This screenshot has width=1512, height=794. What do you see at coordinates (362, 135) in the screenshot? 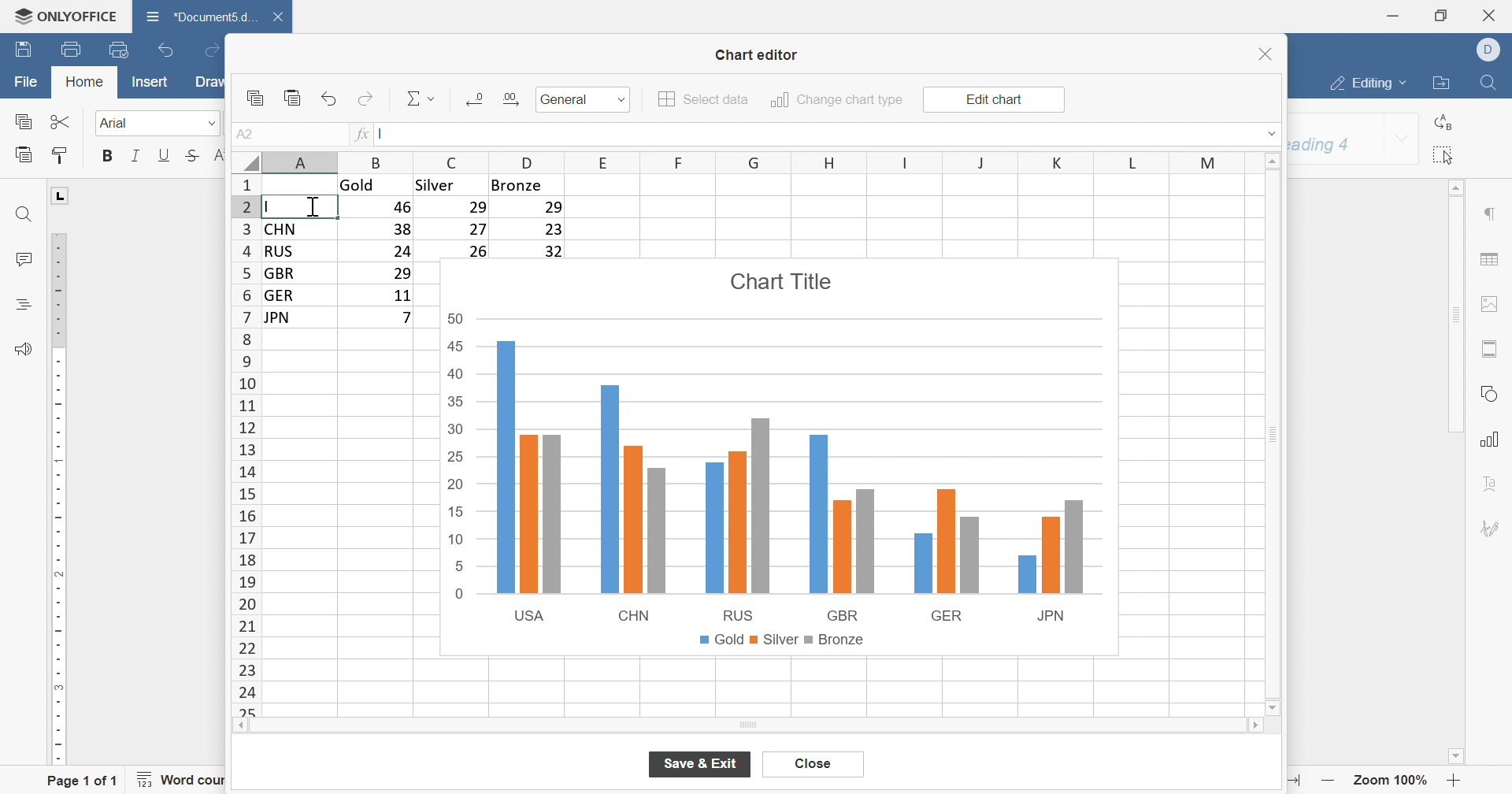
I see `fx` at bounding box center [362, 135].